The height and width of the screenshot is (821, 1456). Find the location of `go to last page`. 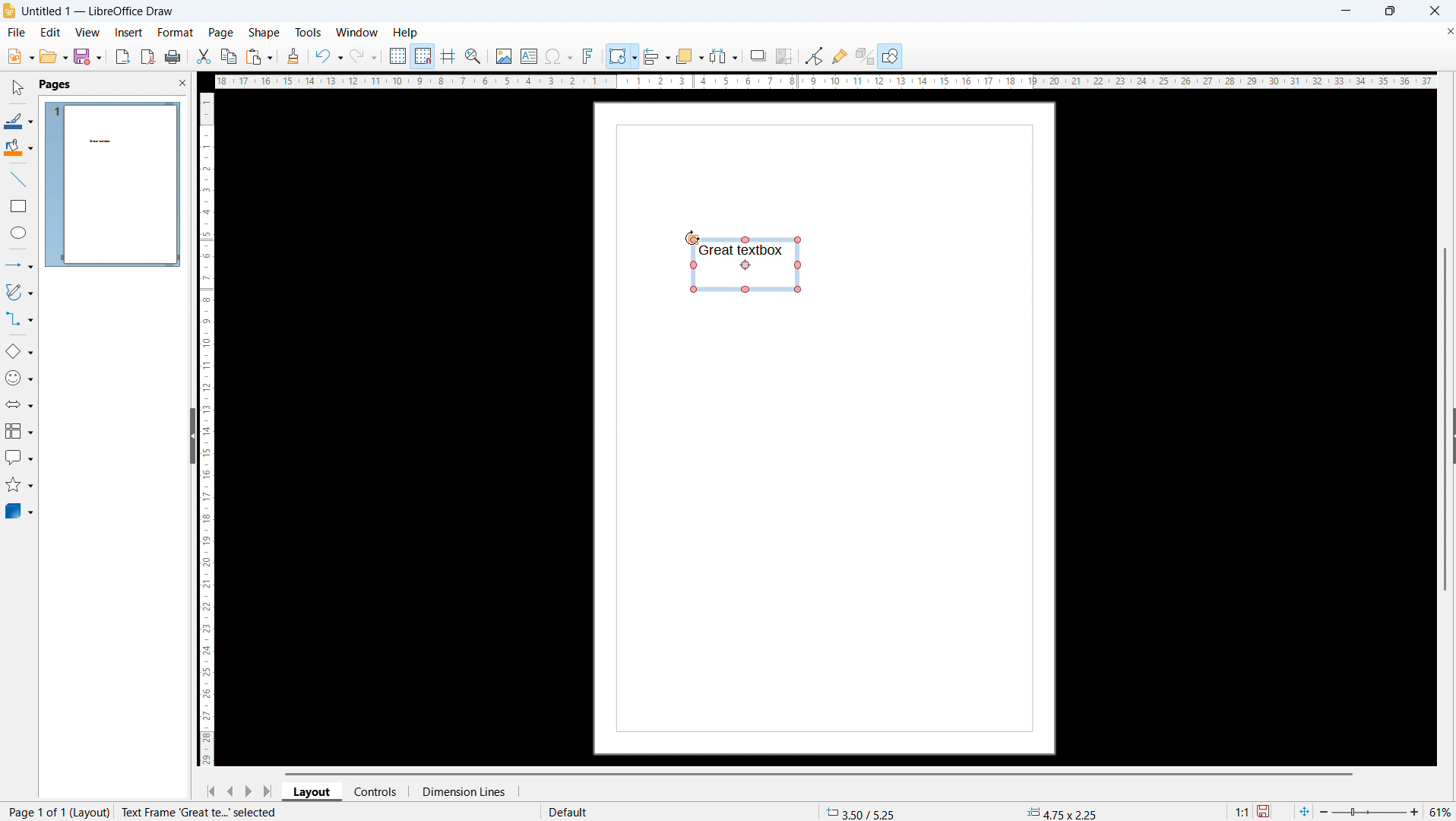

go to last page is located at coordinates (267, 791).